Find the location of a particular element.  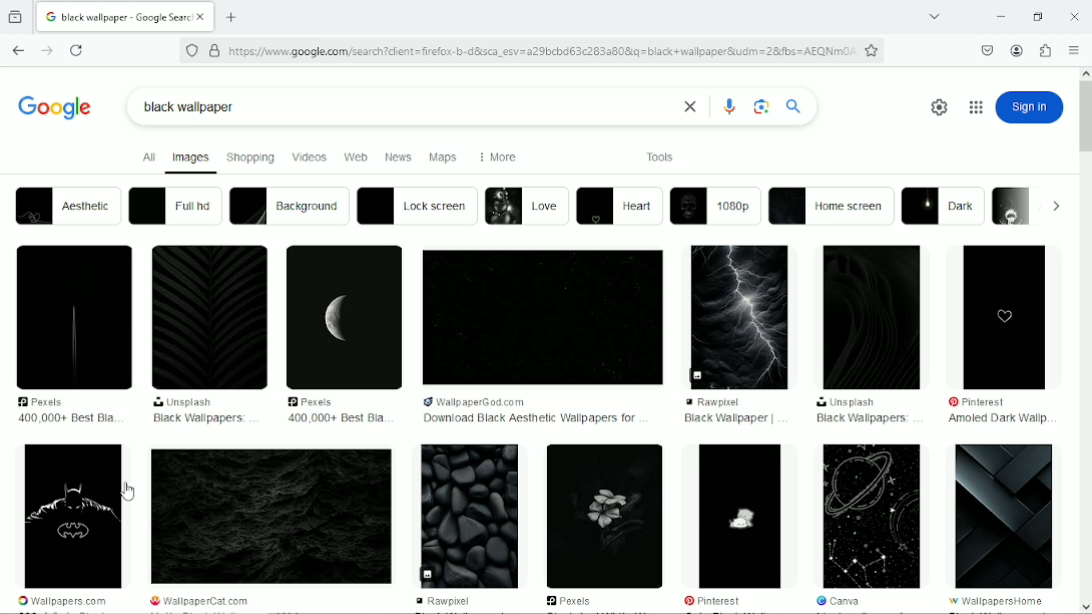

scroll down is located at coordinates (1085, 607).